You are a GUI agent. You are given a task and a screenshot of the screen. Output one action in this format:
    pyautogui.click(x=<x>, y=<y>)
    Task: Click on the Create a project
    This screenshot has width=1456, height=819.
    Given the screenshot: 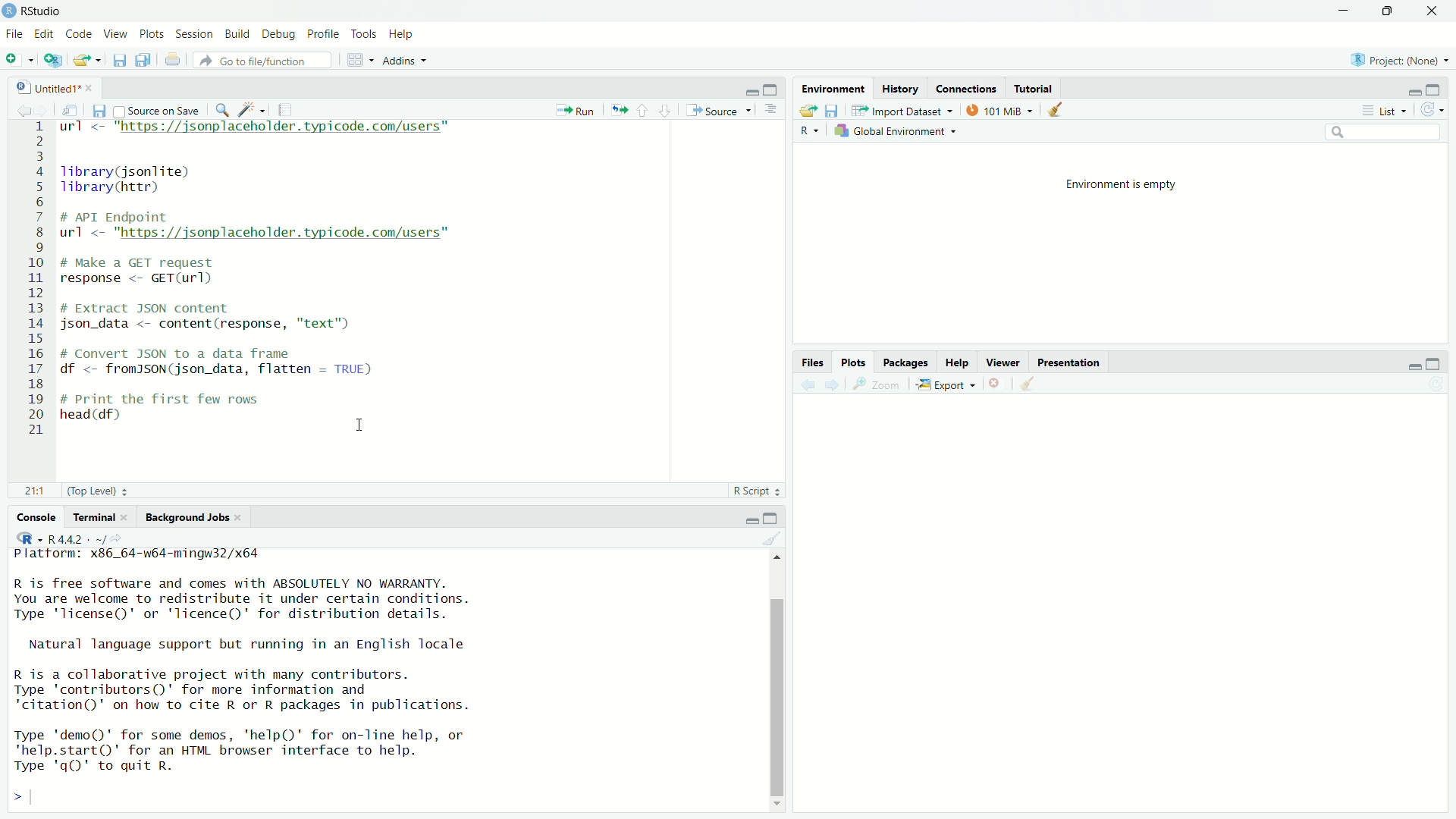 What is the action you would take?
    pyautogui.click(x=51, y=60)
    